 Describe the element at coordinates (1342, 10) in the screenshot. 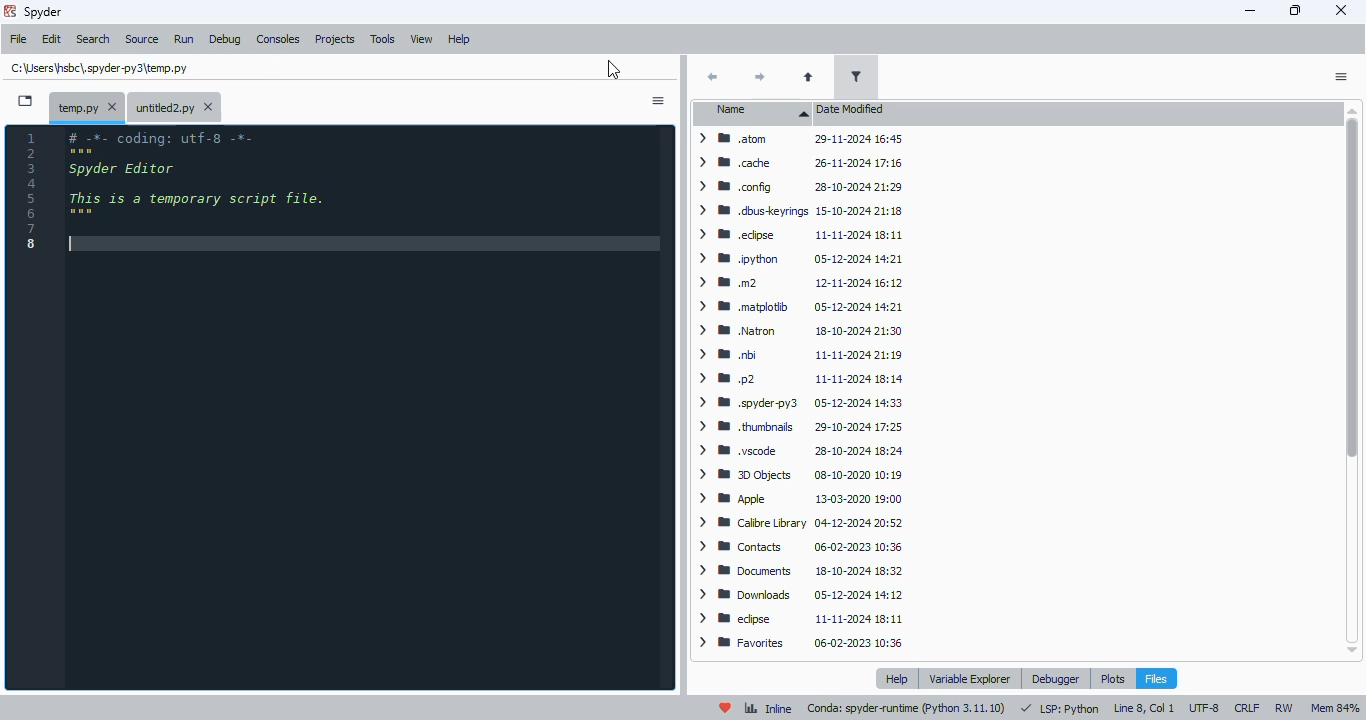

I see `close` at that location.